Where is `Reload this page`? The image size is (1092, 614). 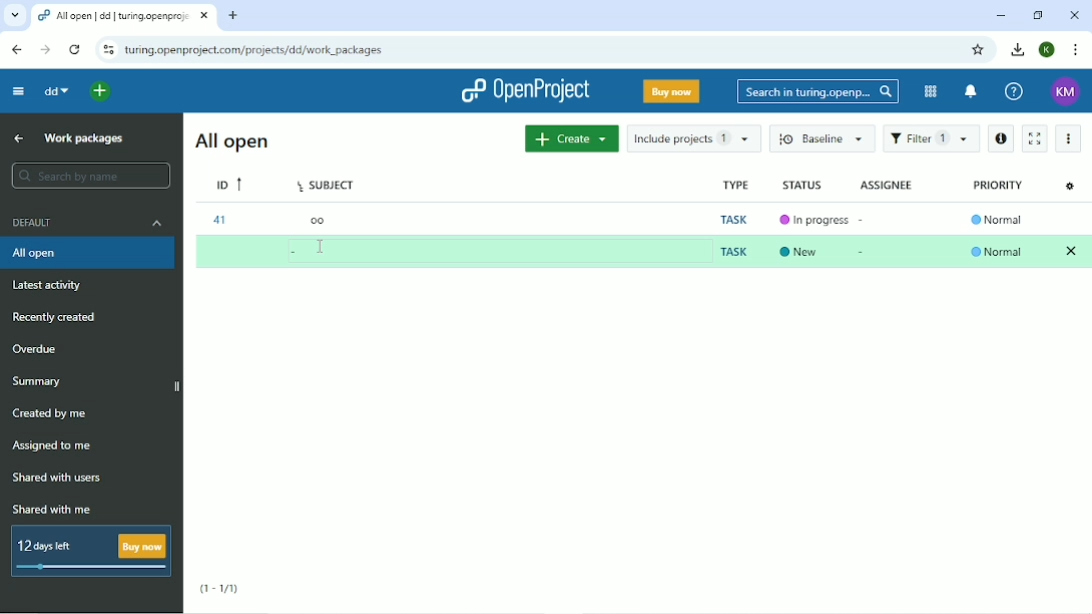 Reload this page is located at coordinates (76, 49).